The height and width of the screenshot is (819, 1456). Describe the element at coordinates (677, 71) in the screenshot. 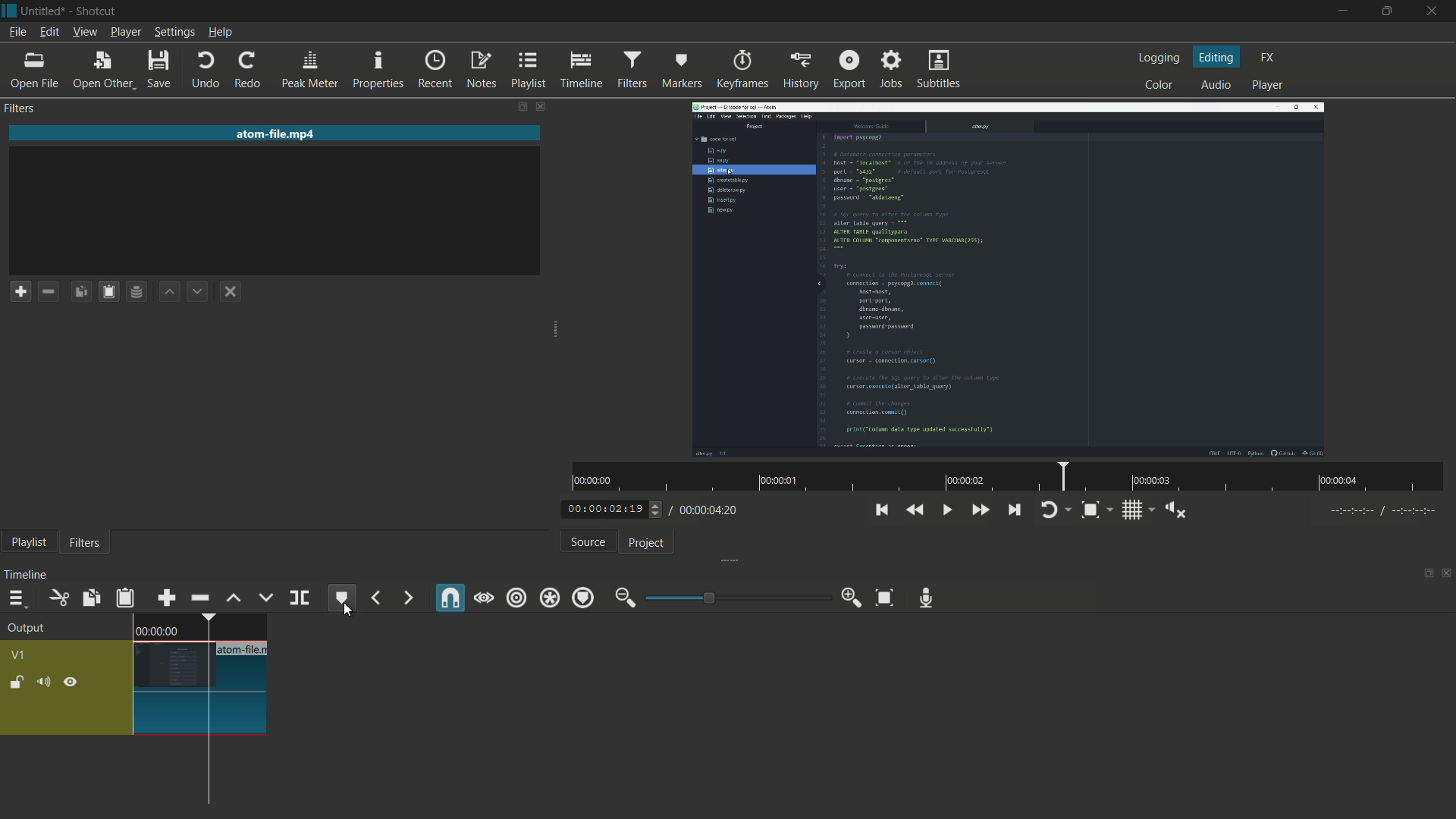

I see `markers` at that location.